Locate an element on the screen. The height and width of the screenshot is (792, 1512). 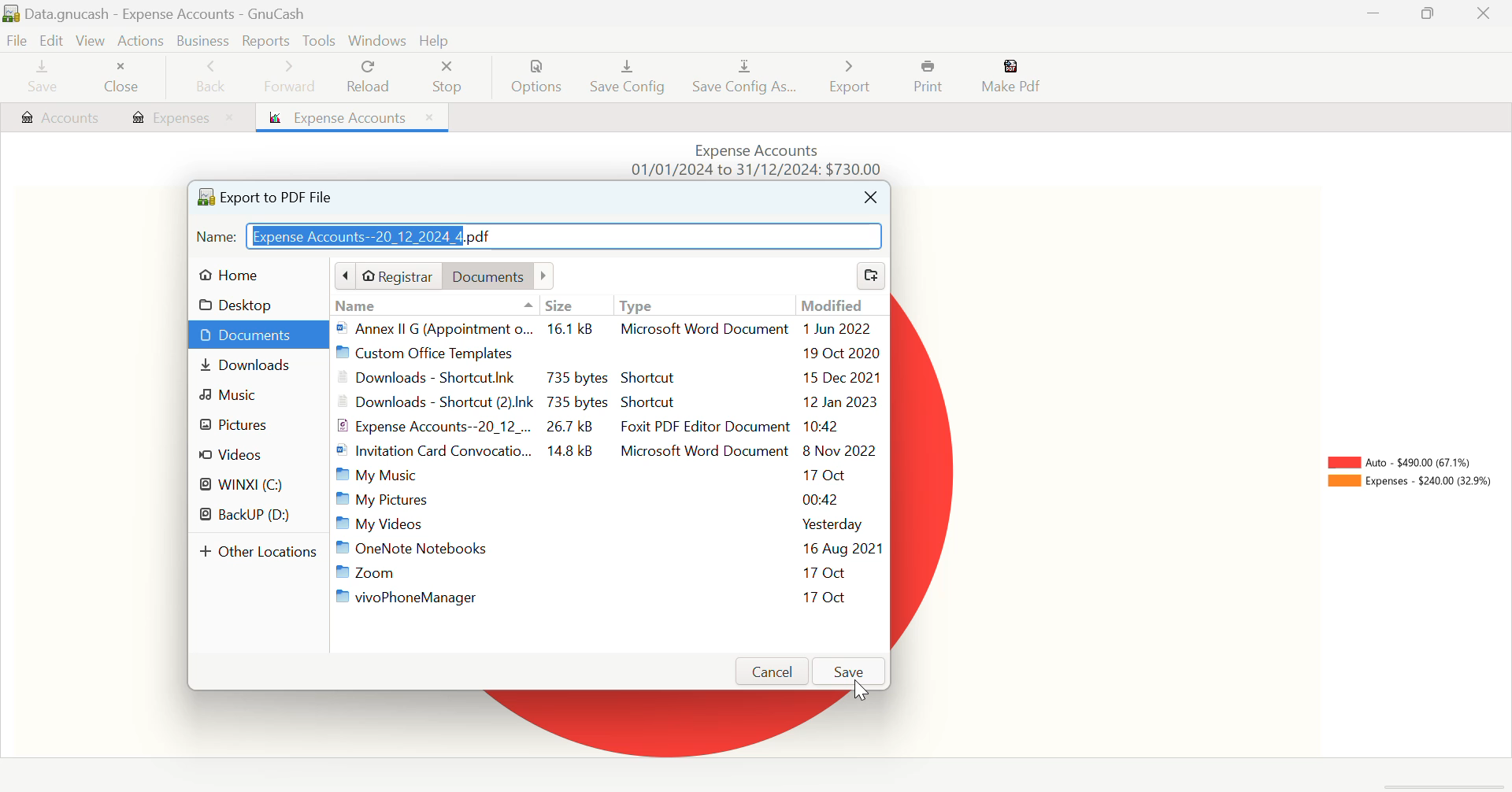
Export is located at coordinates (852, 77).